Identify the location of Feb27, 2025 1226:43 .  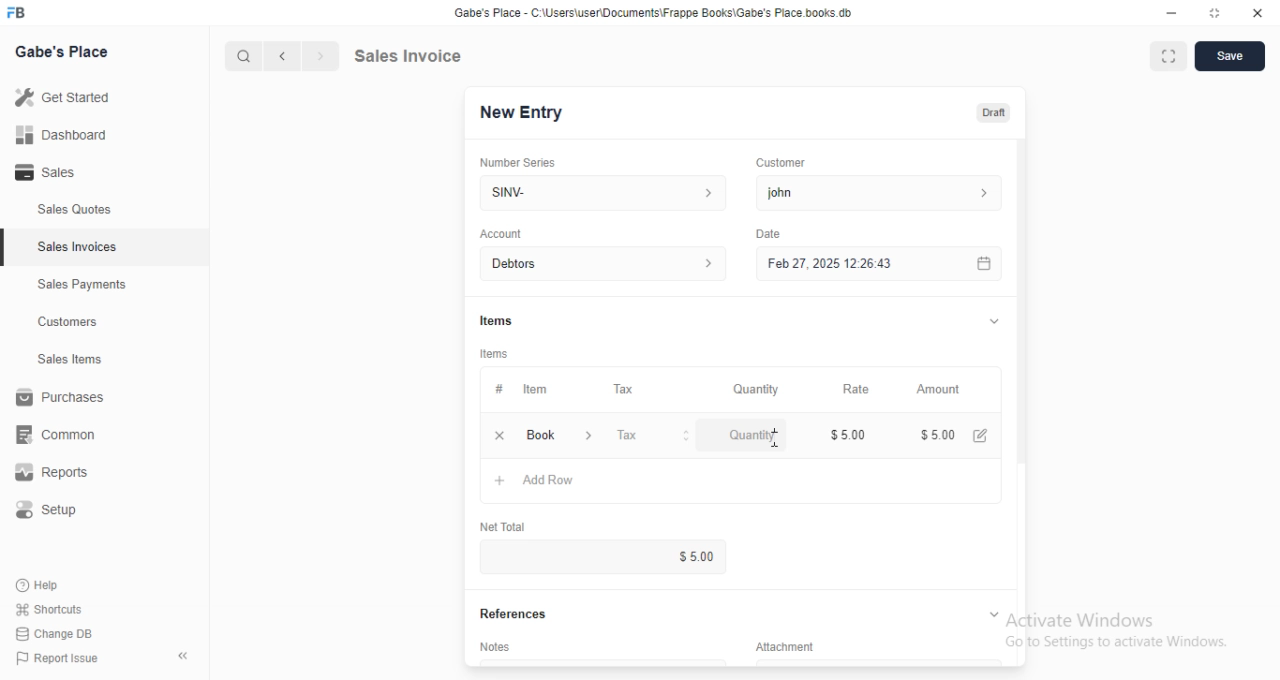
(826, 266).